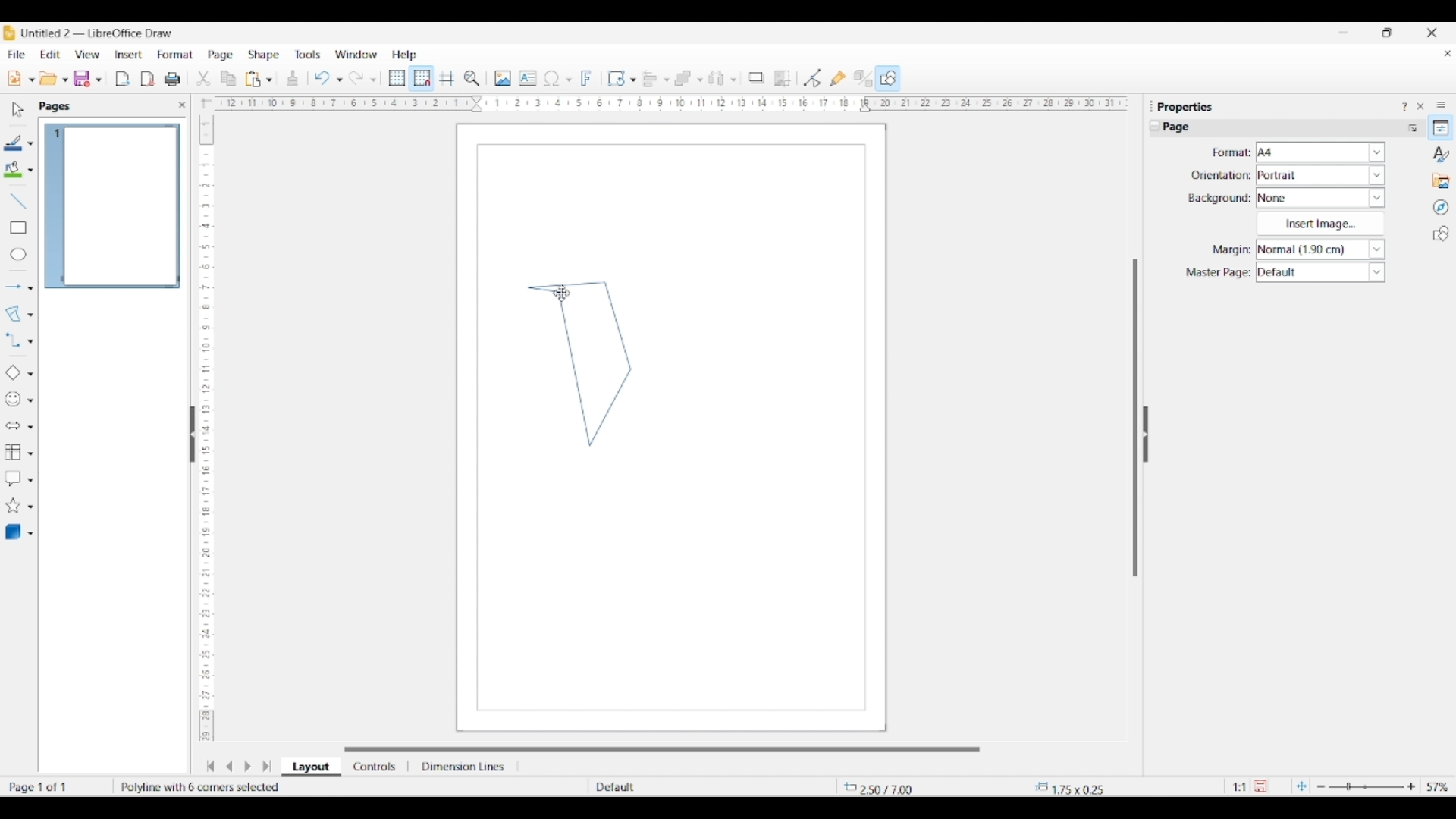  I want to click on Current settings title - Page, so click(1183, 129).